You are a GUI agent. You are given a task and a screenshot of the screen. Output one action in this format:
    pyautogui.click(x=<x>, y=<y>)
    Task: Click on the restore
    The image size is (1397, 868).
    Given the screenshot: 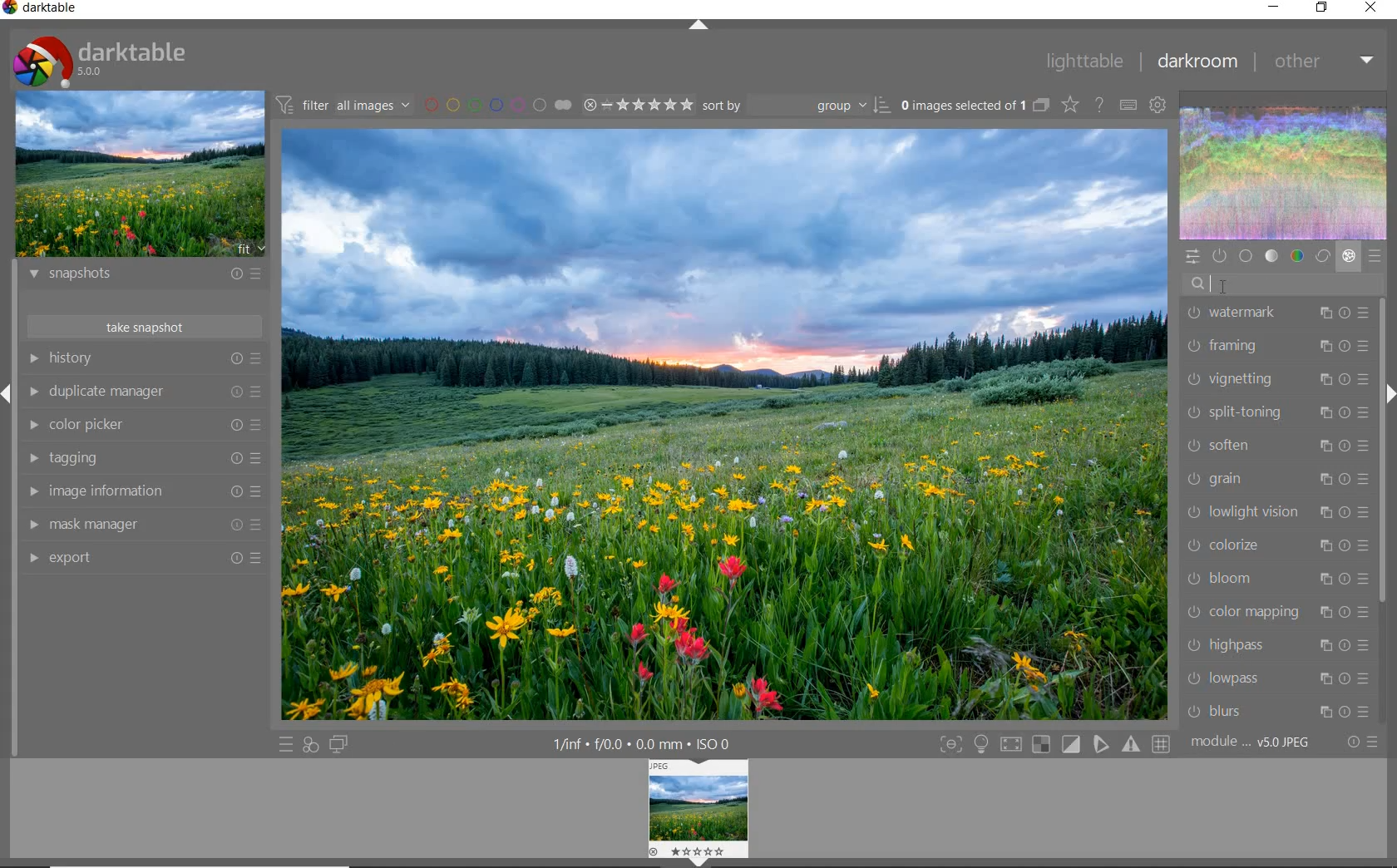 What is the action you would take?
    pyautogui.click(x=1324, y=8)
    